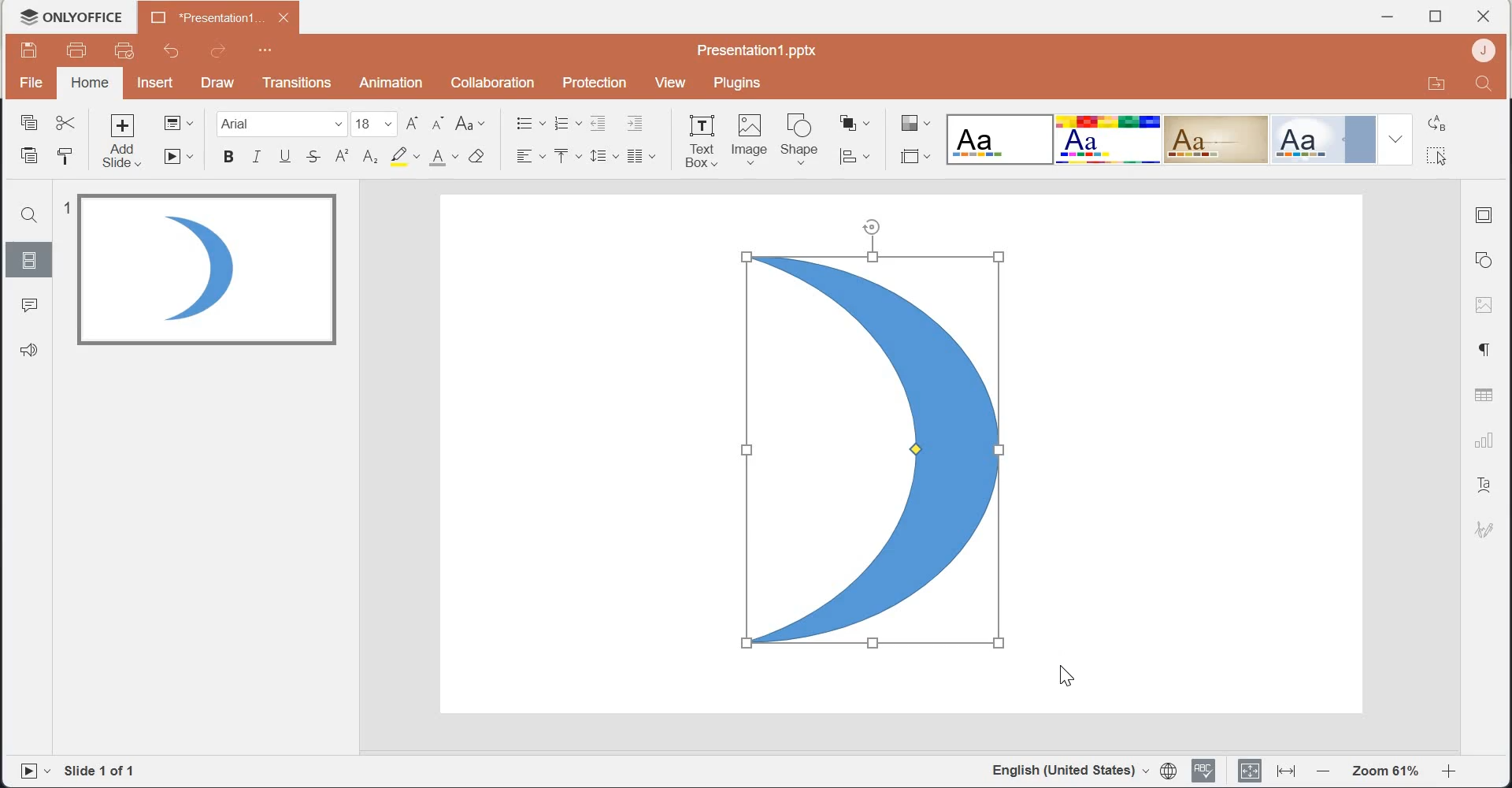 The width and height of the screenshot is (1512, 788). What do you see at coordinates (180, 123) in the screenshot?
I see `Change slide layout` at bounding box center [180, 123].